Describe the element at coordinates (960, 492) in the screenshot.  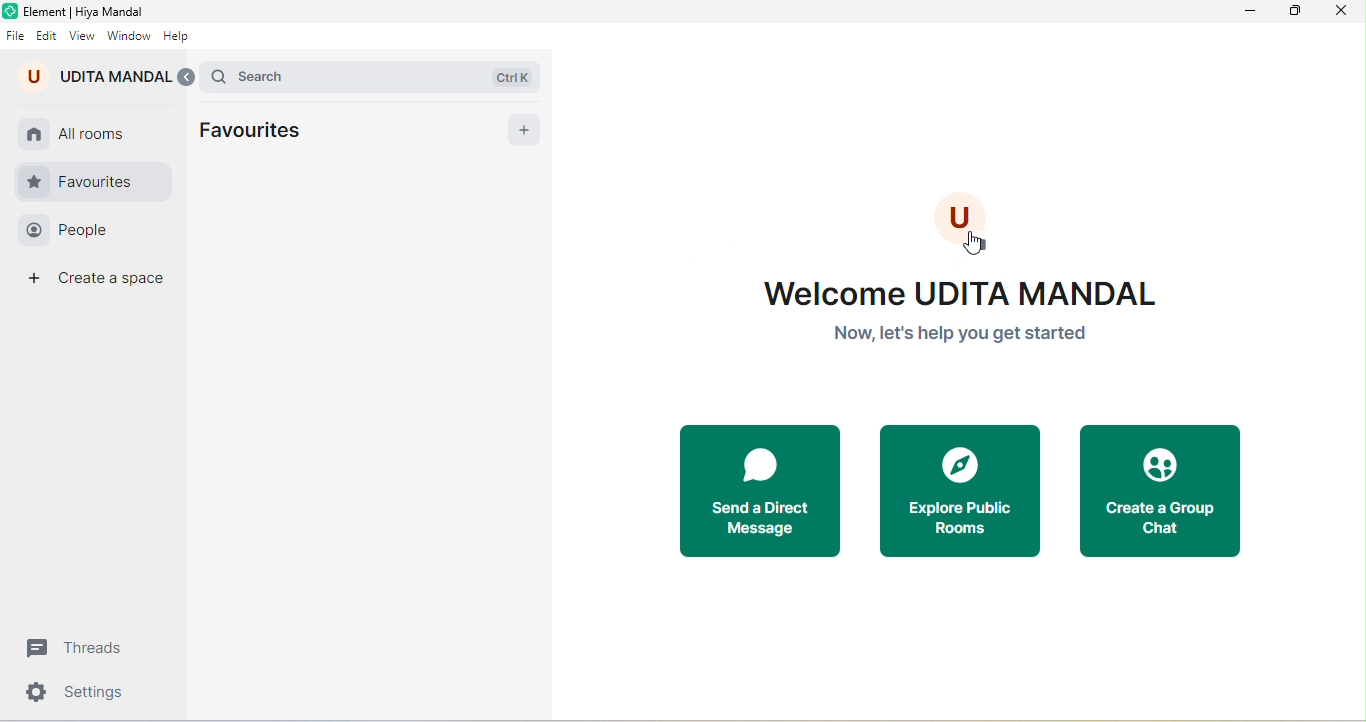
I see `explore public rooms` at that location.